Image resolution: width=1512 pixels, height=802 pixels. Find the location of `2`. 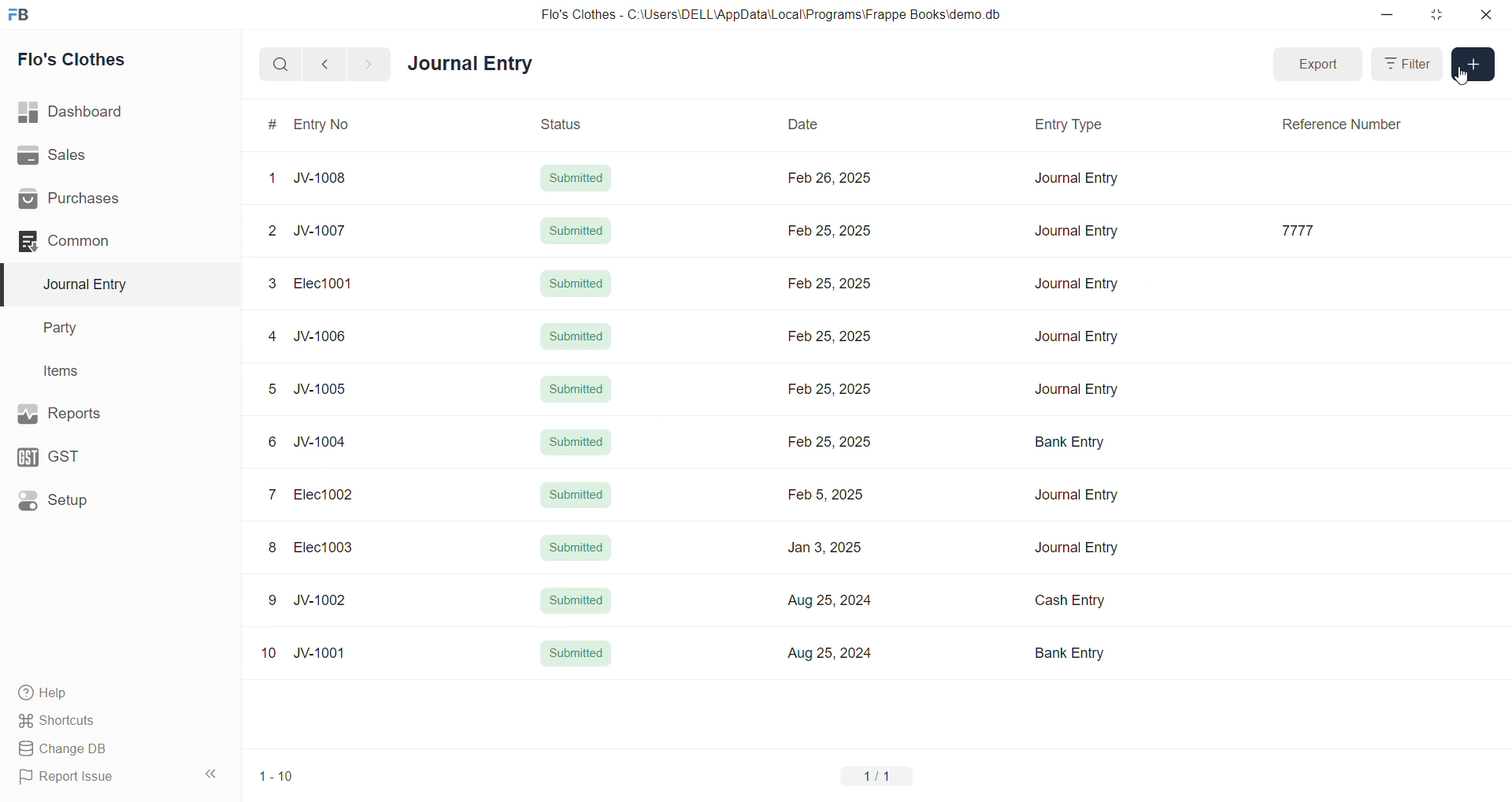

2 is located at coordinates (271, 228).